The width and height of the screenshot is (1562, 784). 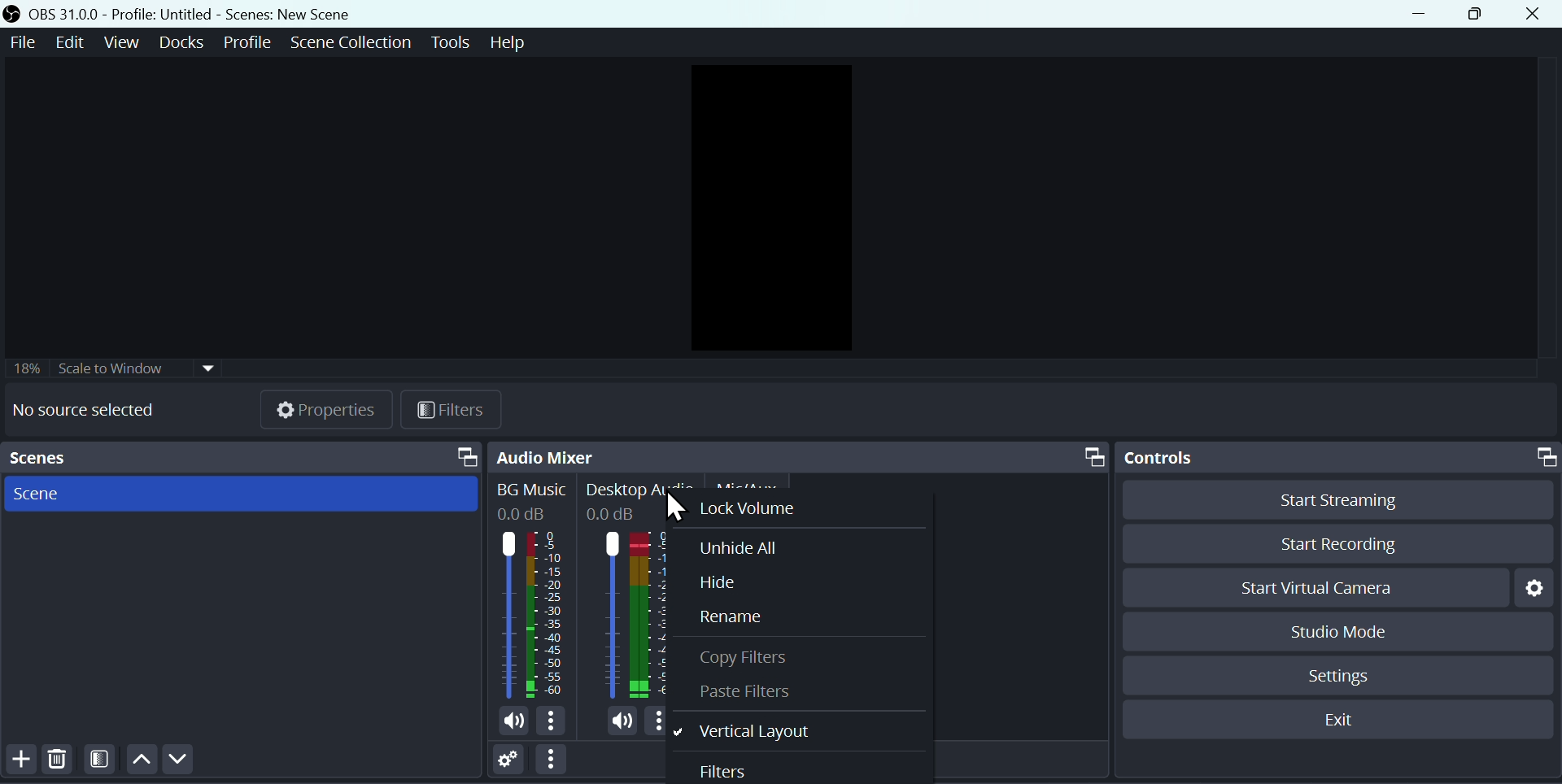 I want to click on Scale to window, so click(x=111, y=368).